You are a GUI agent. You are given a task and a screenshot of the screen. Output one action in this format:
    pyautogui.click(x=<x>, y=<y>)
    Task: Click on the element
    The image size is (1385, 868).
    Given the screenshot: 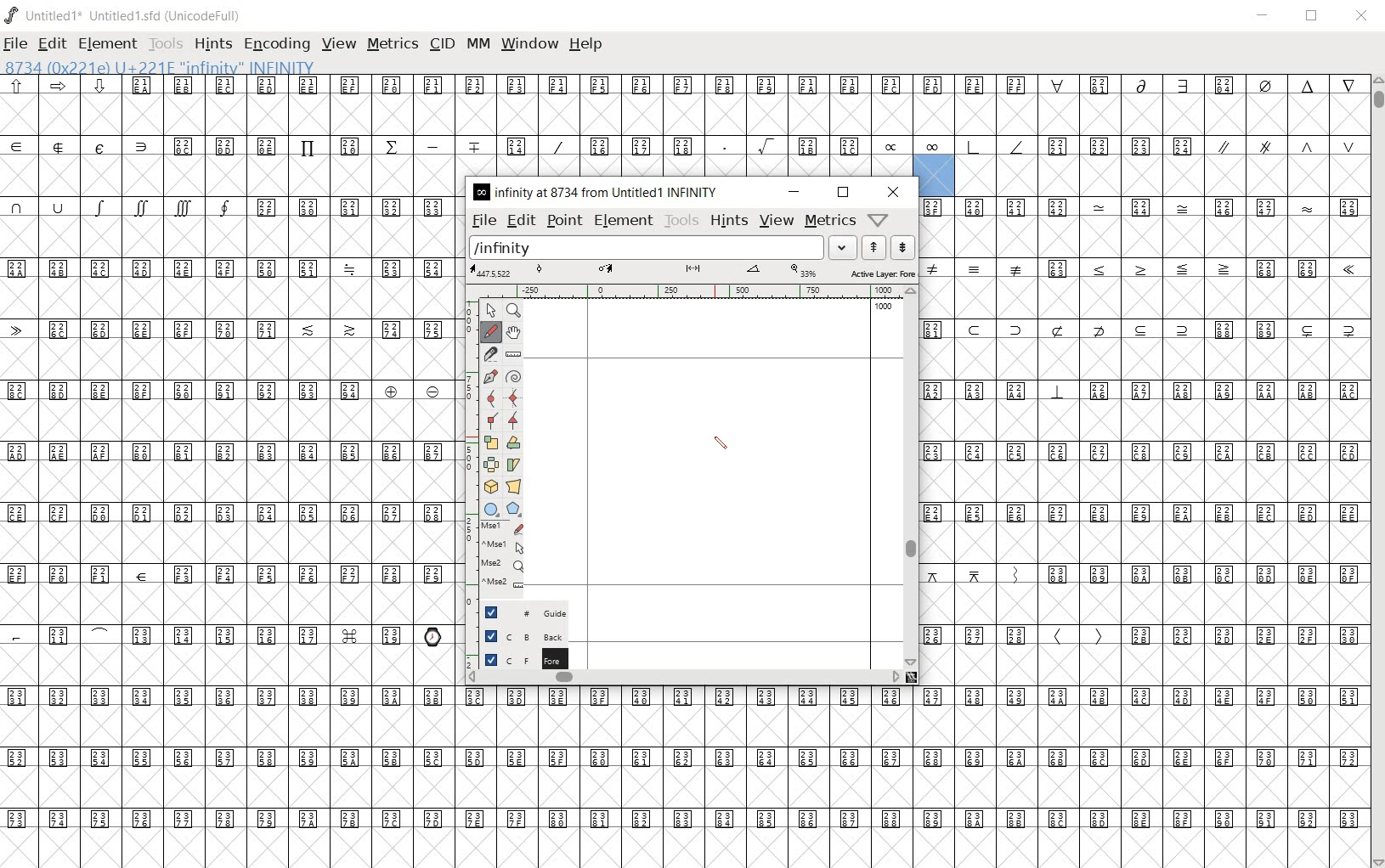 What is the action you would take?
    pyautogui.click(x=109, y=43)
    